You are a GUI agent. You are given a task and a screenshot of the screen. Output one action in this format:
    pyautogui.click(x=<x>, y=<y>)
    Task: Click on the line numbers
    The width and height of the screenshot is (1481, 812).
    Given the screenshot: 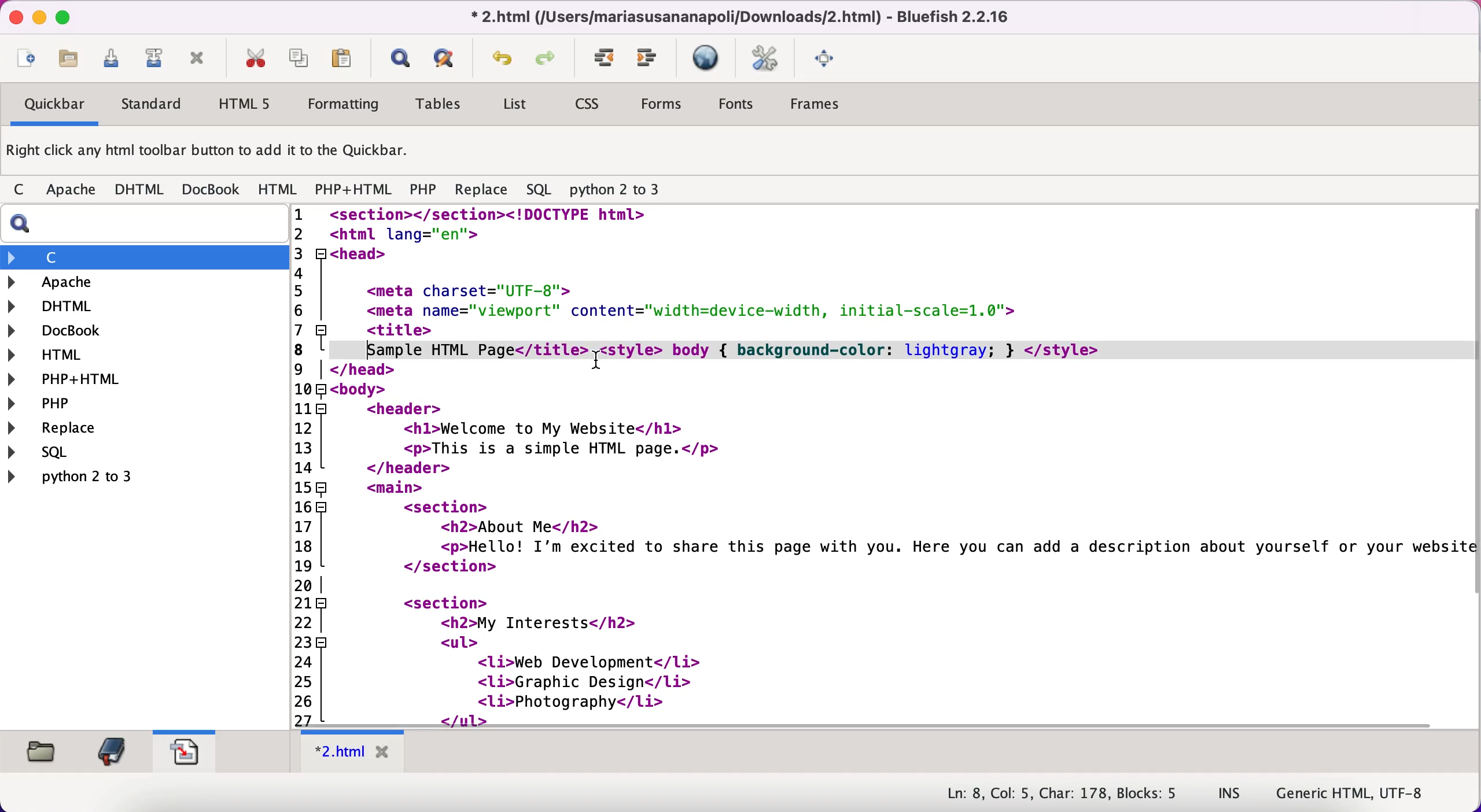 What is the action you would take?
    pyautogui.click(x=309, y=466)
    